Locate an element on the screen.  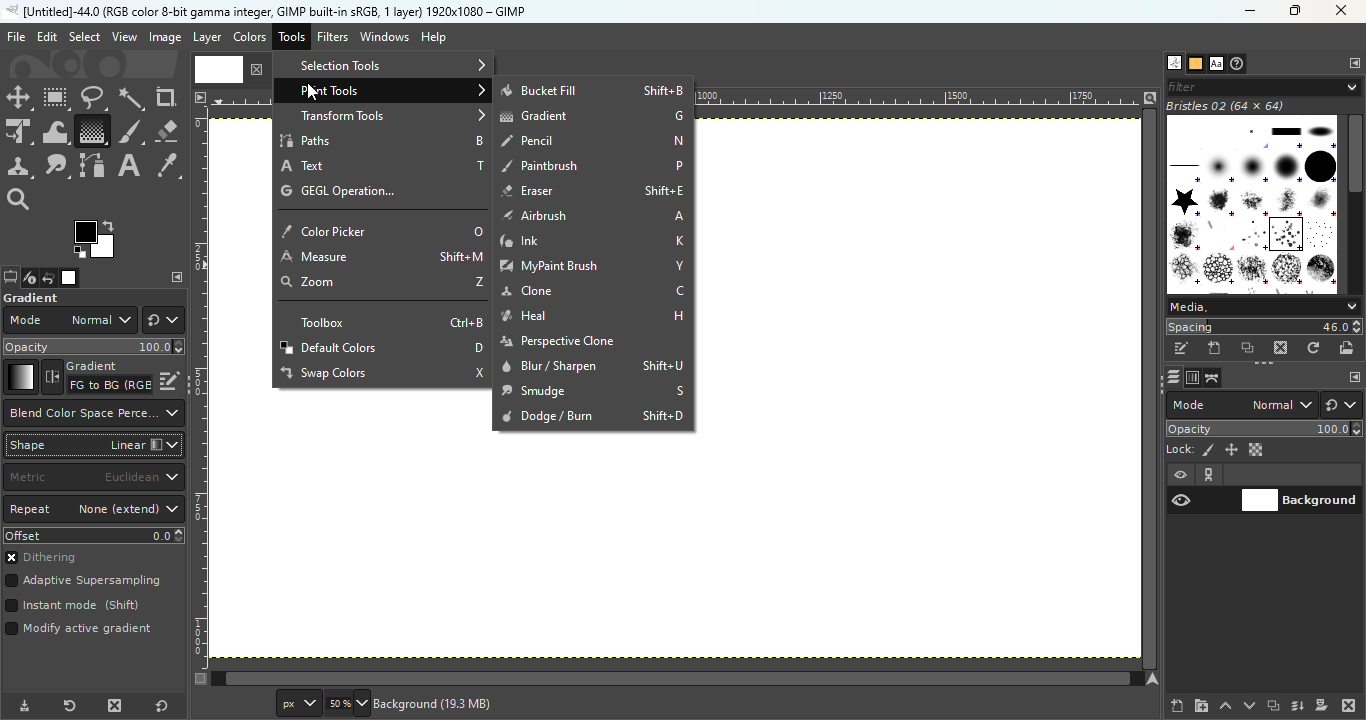
Smudge is located at coordinates (590, 391).